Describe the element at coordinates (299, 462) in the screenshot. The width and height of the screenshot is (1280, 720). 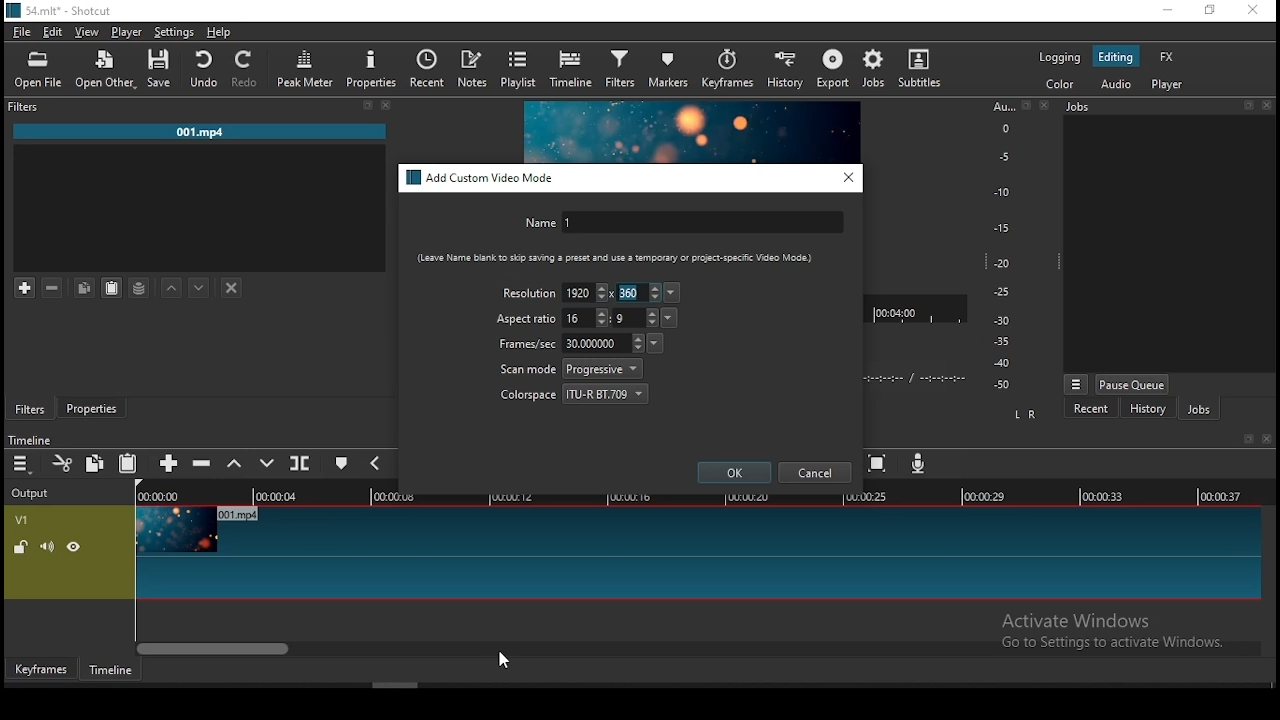
I see `split at playhead` at that location.